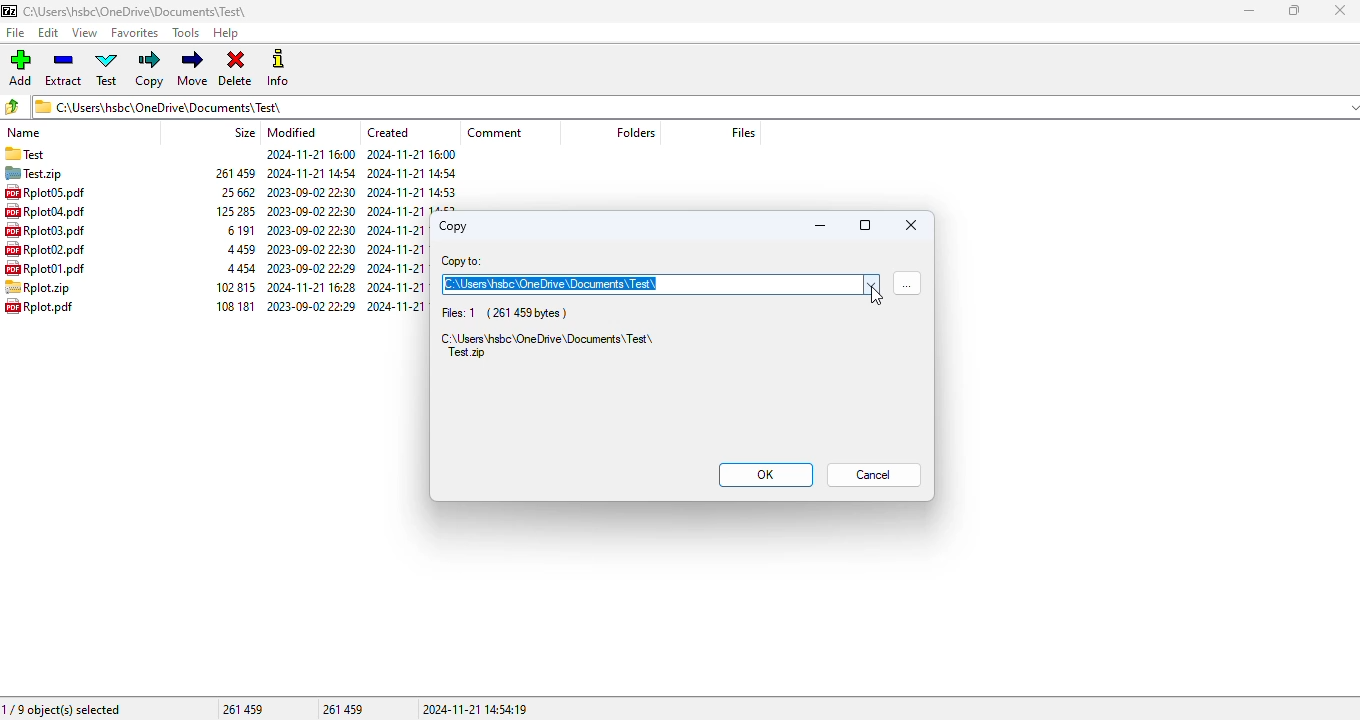 The width and height of the screenshot is (1360, 720). I want to click on help, so click(225, 33).